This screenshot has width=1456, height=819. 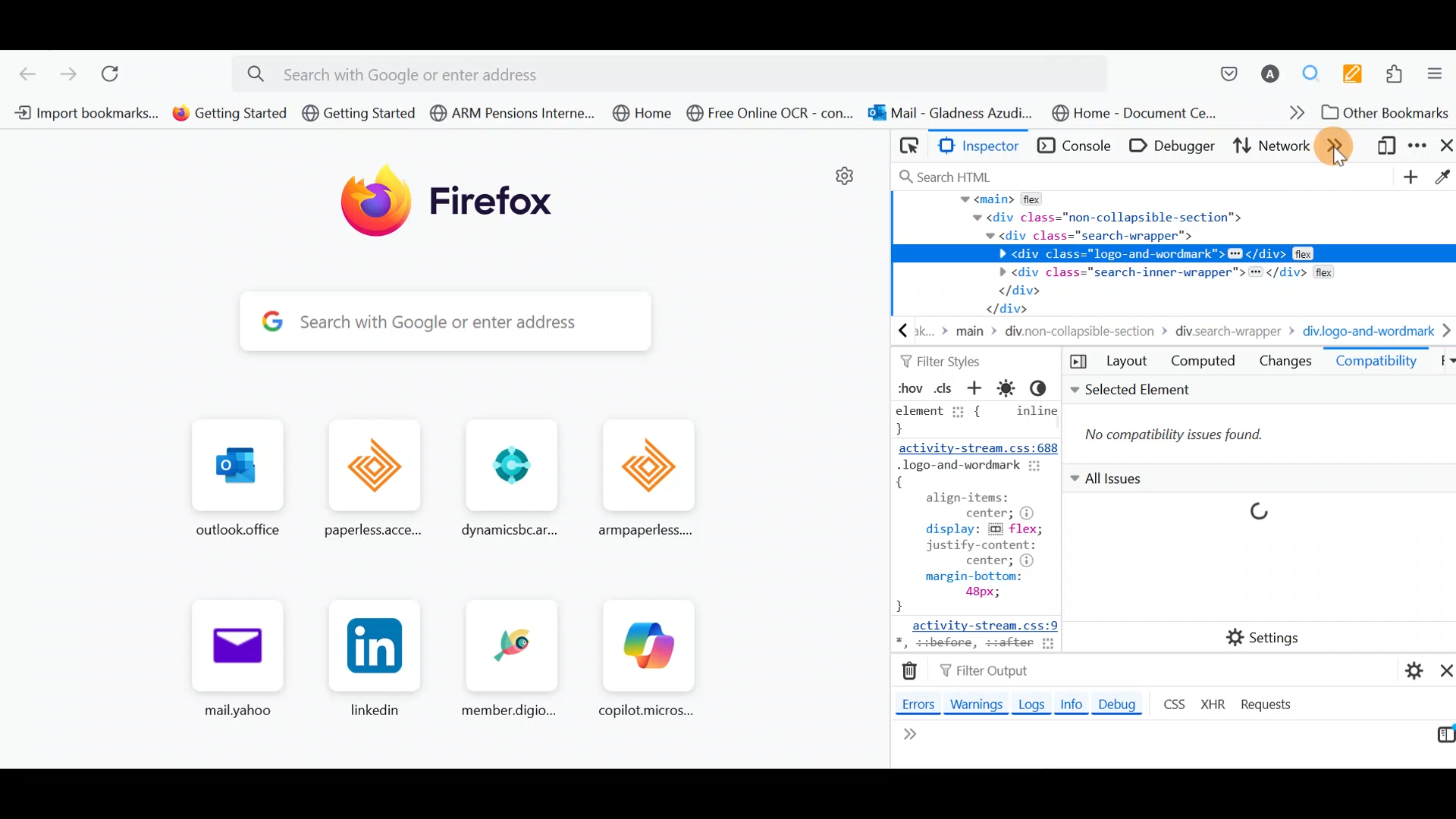 What do you see at coordinates (1420, 148) in the screenshot?
I see `Customize developer tools & get help` at bounding box center [1420, 148].